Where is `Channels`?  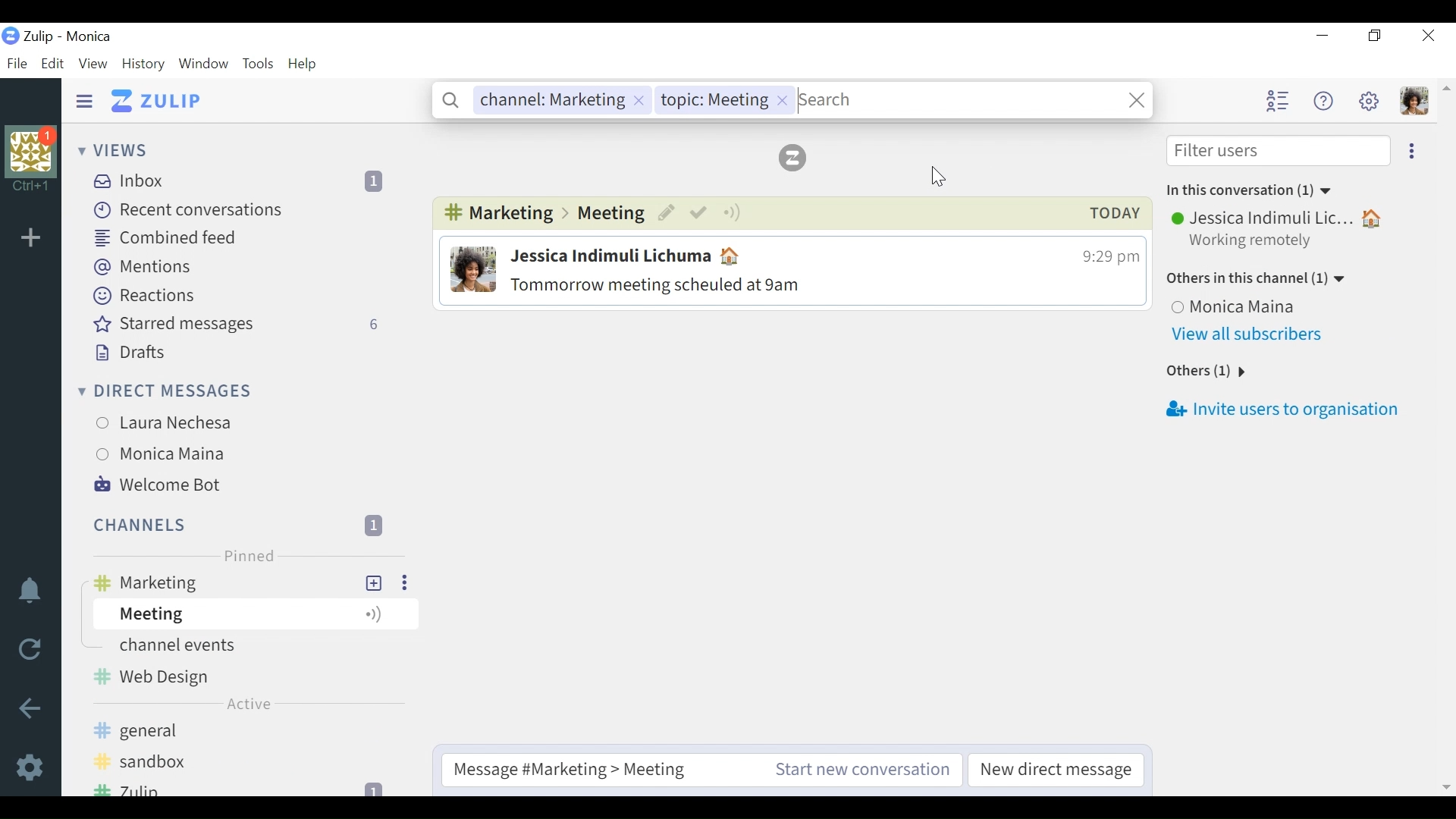
Channels is located at coordinates (240, 526).